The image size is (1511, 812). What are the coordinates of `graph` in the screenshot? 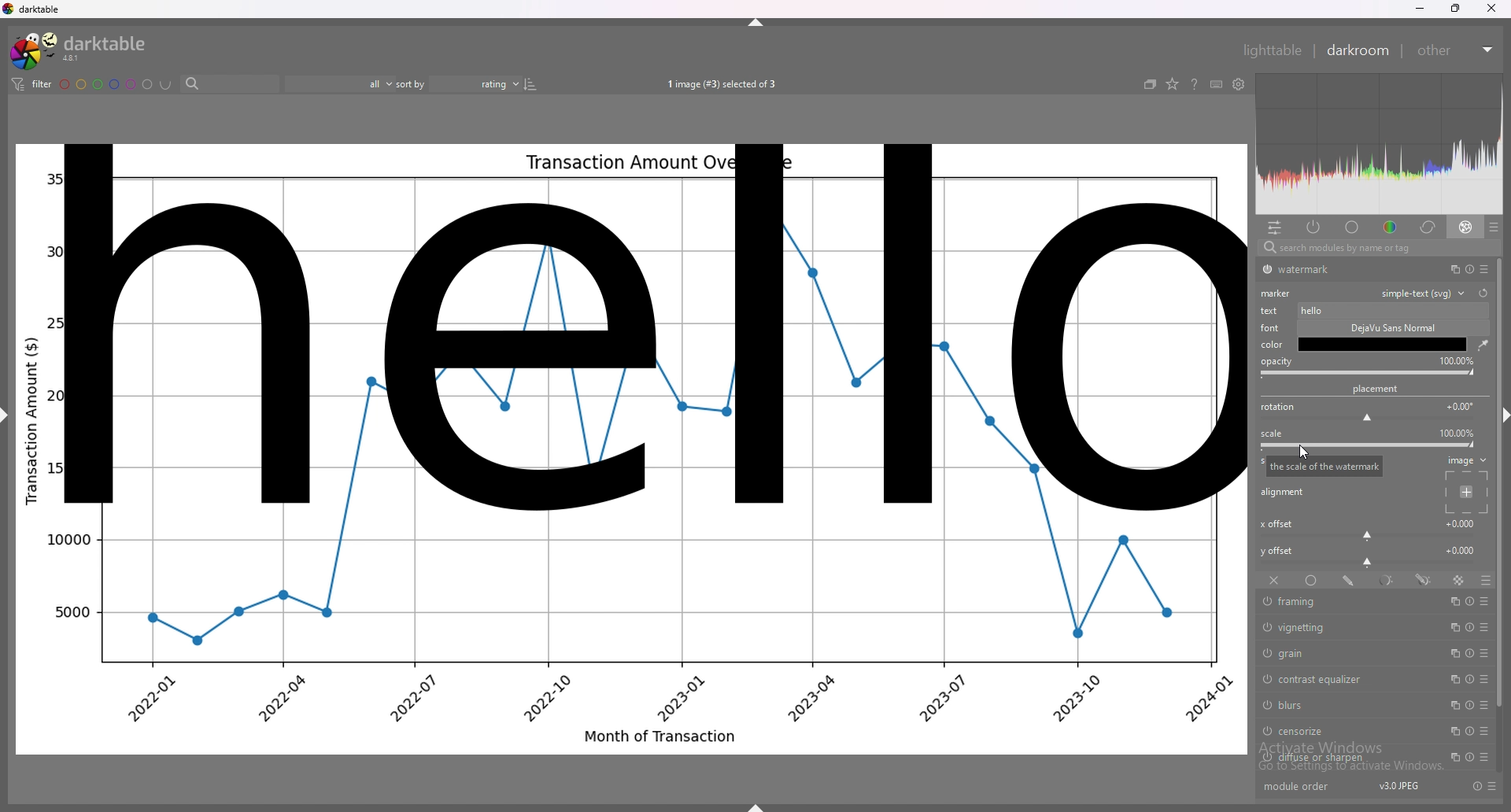 It's located at (630, 633).